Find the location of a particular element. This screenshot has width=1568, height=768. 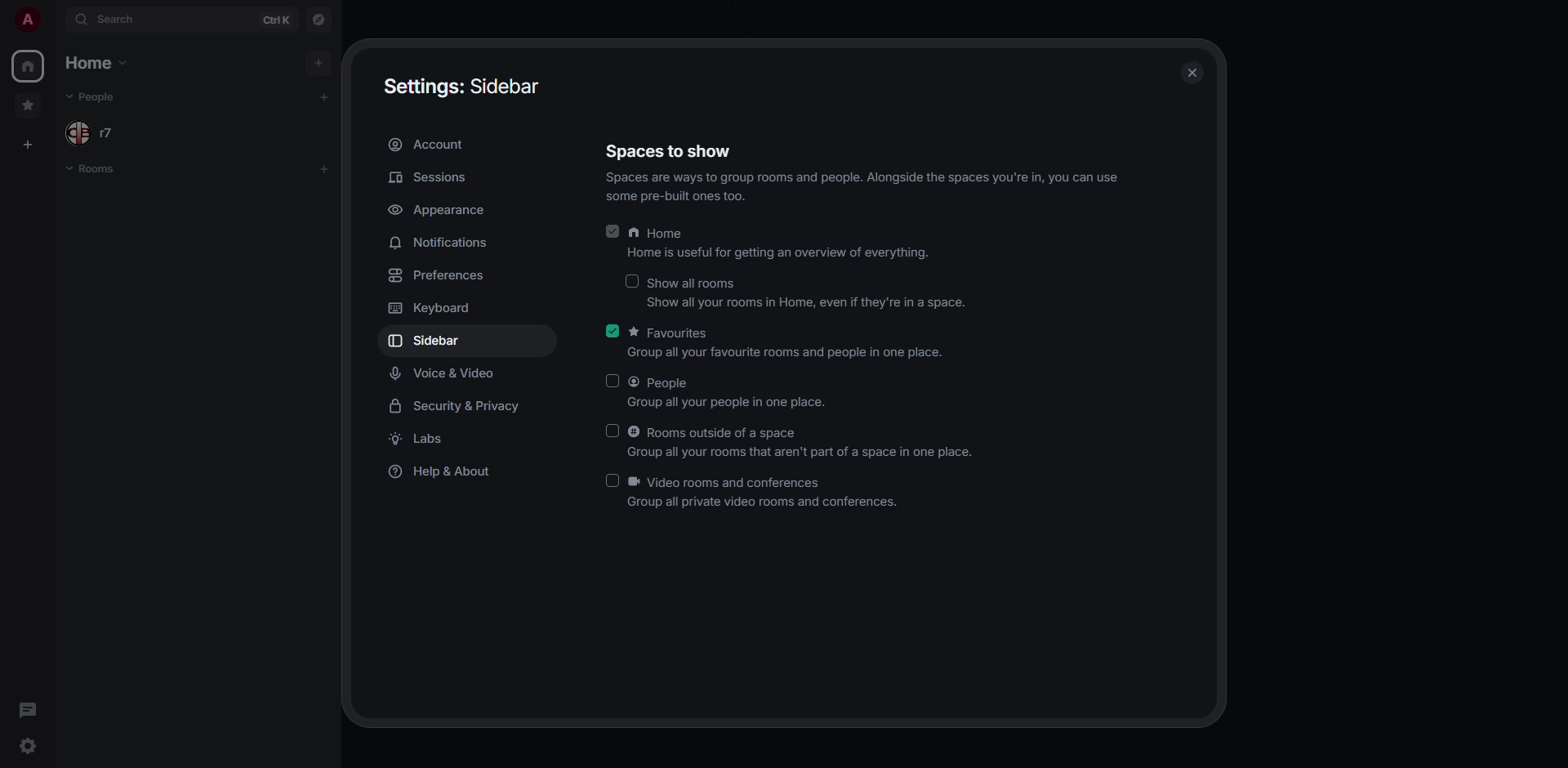

security & privacy is located at coordinates (454, 409).